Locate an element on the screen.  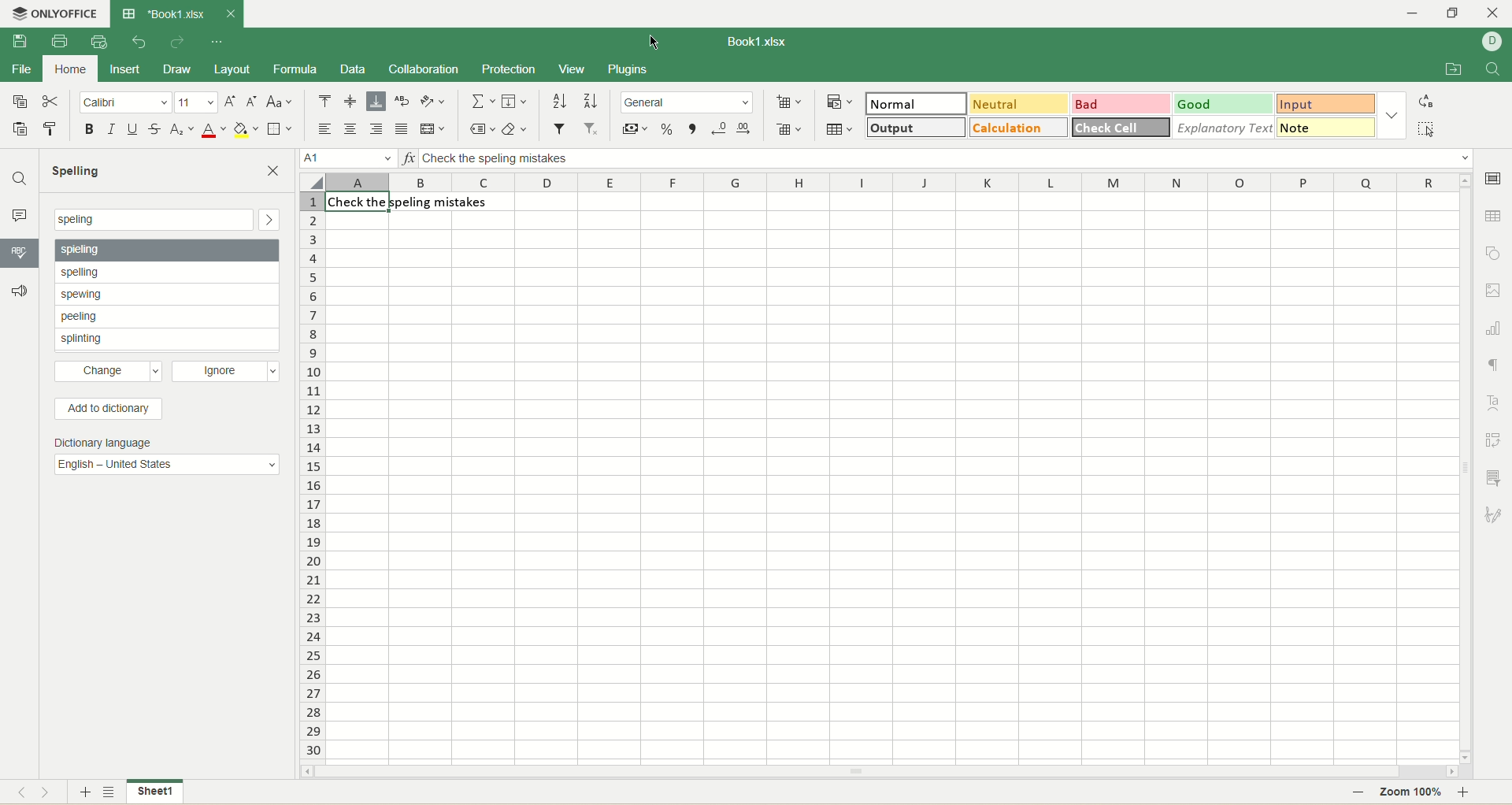
align left is located at coordinates (324, 128).